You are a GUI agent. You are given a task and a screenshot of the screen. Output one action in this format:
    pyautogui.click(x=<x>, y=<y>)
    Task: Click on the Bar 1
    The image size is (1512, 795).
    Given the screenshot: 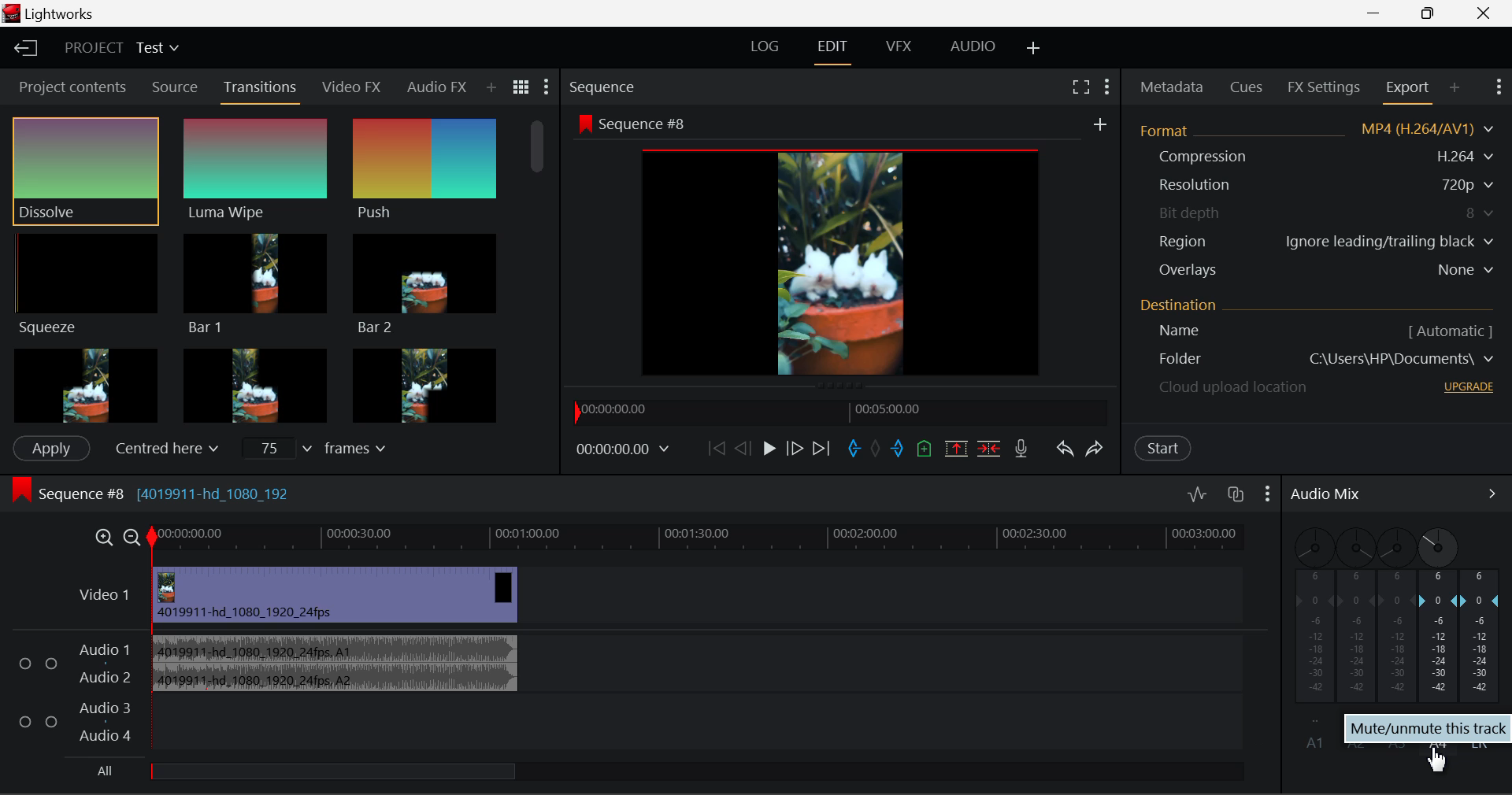 What is the action you would take?
    pyautogui.click(x=256, y=284)
    